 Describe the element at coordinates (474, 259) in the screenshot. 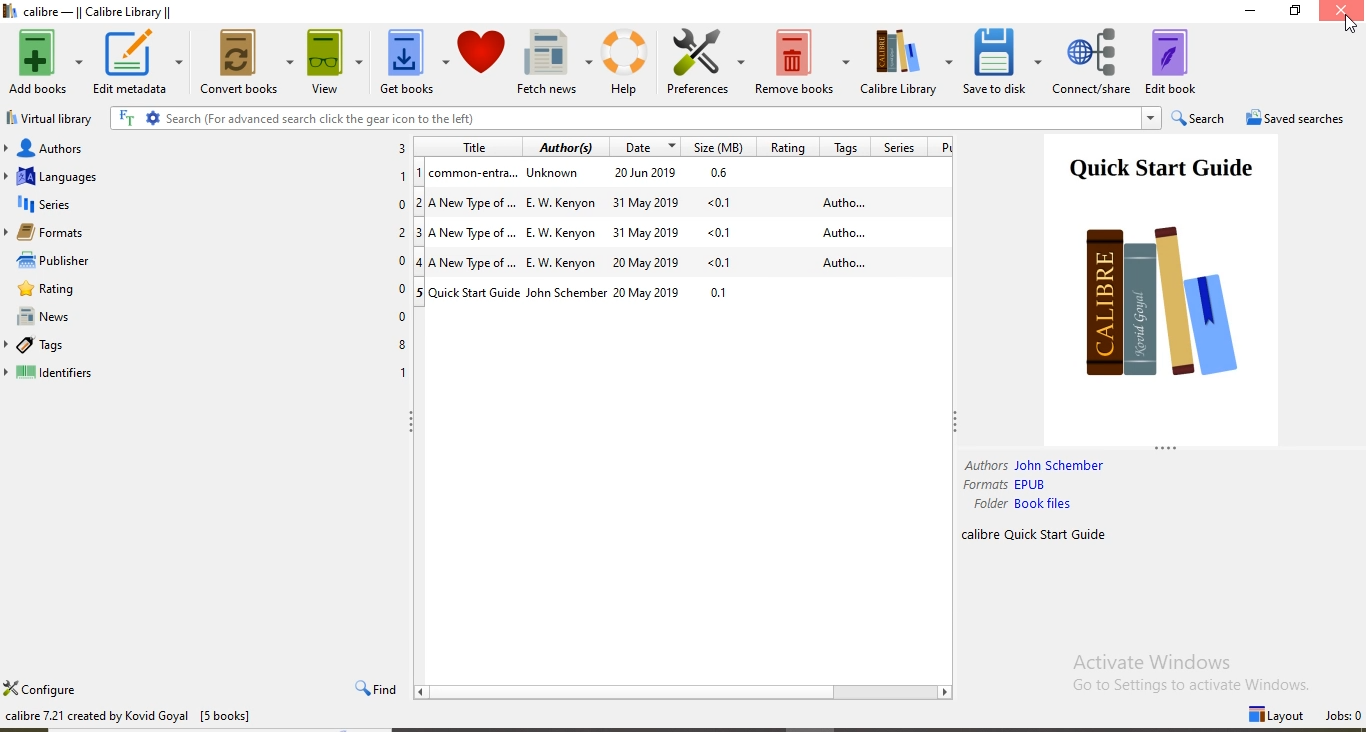

I see `A New Type of...` at that location.